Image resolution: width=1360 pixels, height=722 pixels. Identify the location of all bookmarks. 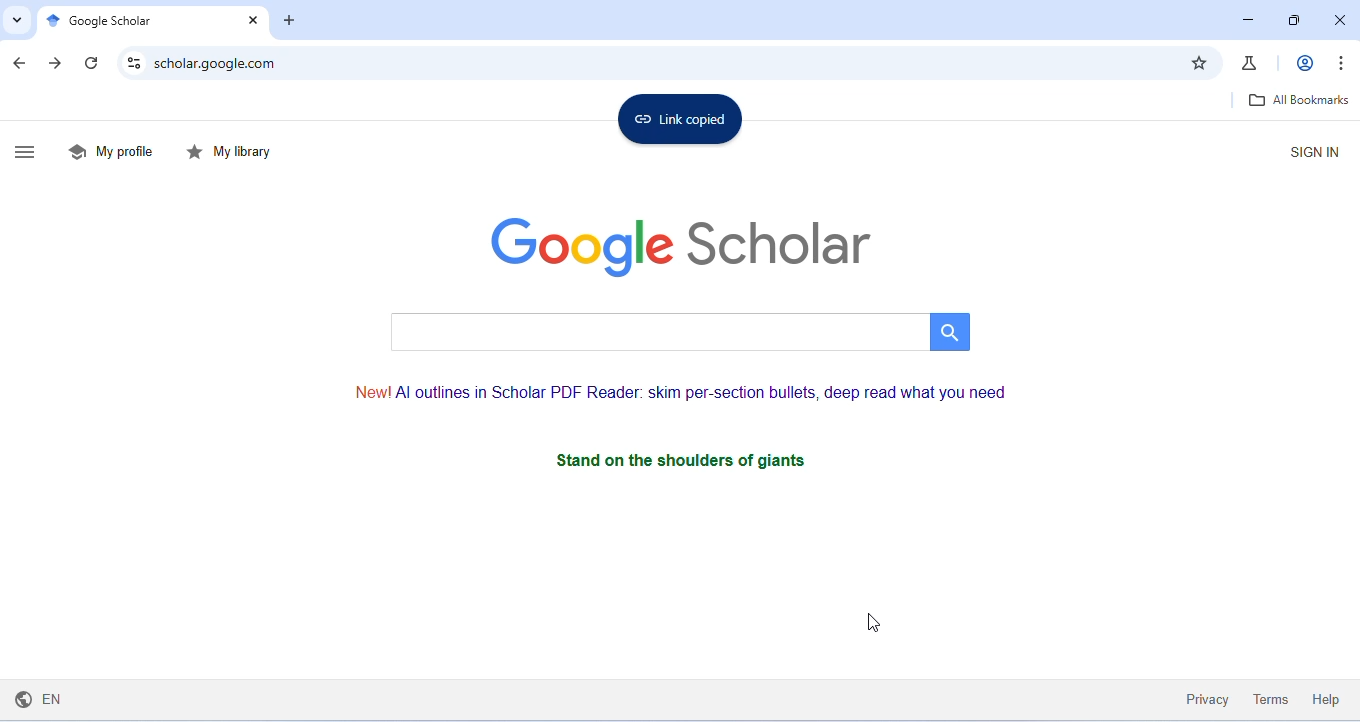
(1295, 100).